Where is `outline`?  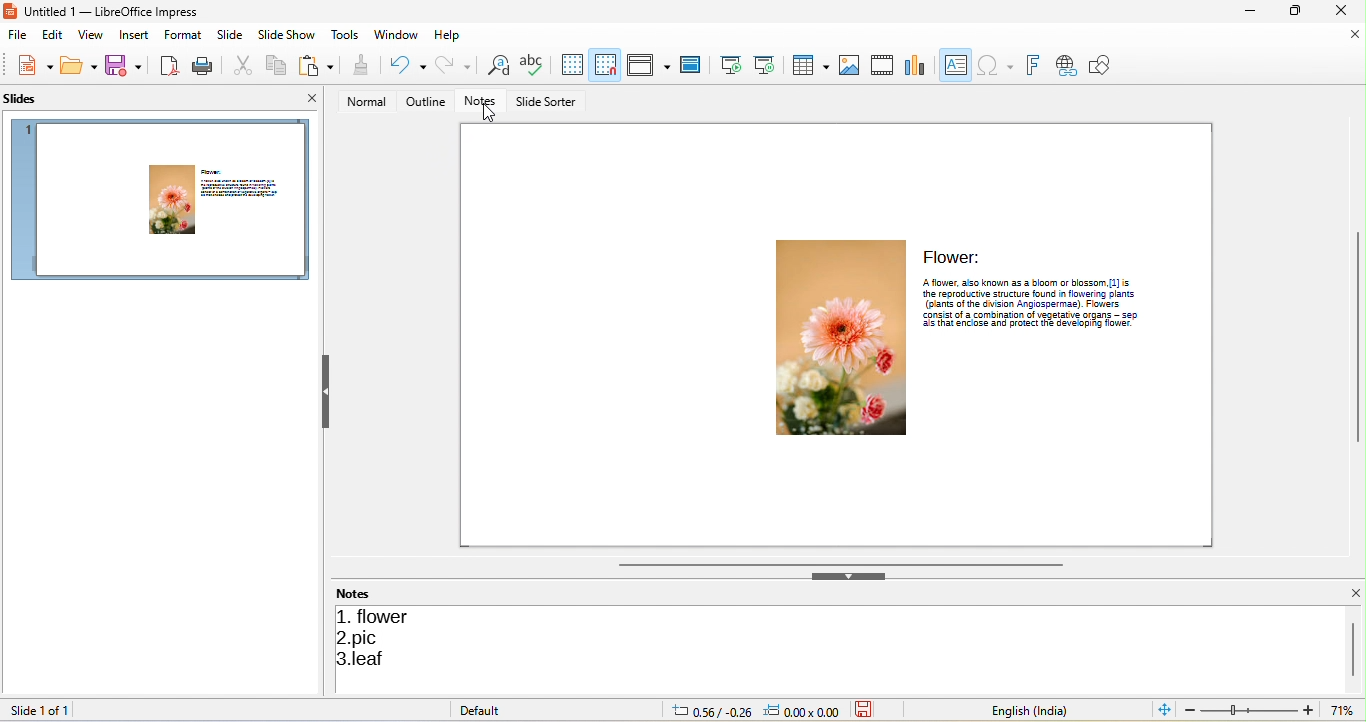 outline is located at coordinates (427, 102).